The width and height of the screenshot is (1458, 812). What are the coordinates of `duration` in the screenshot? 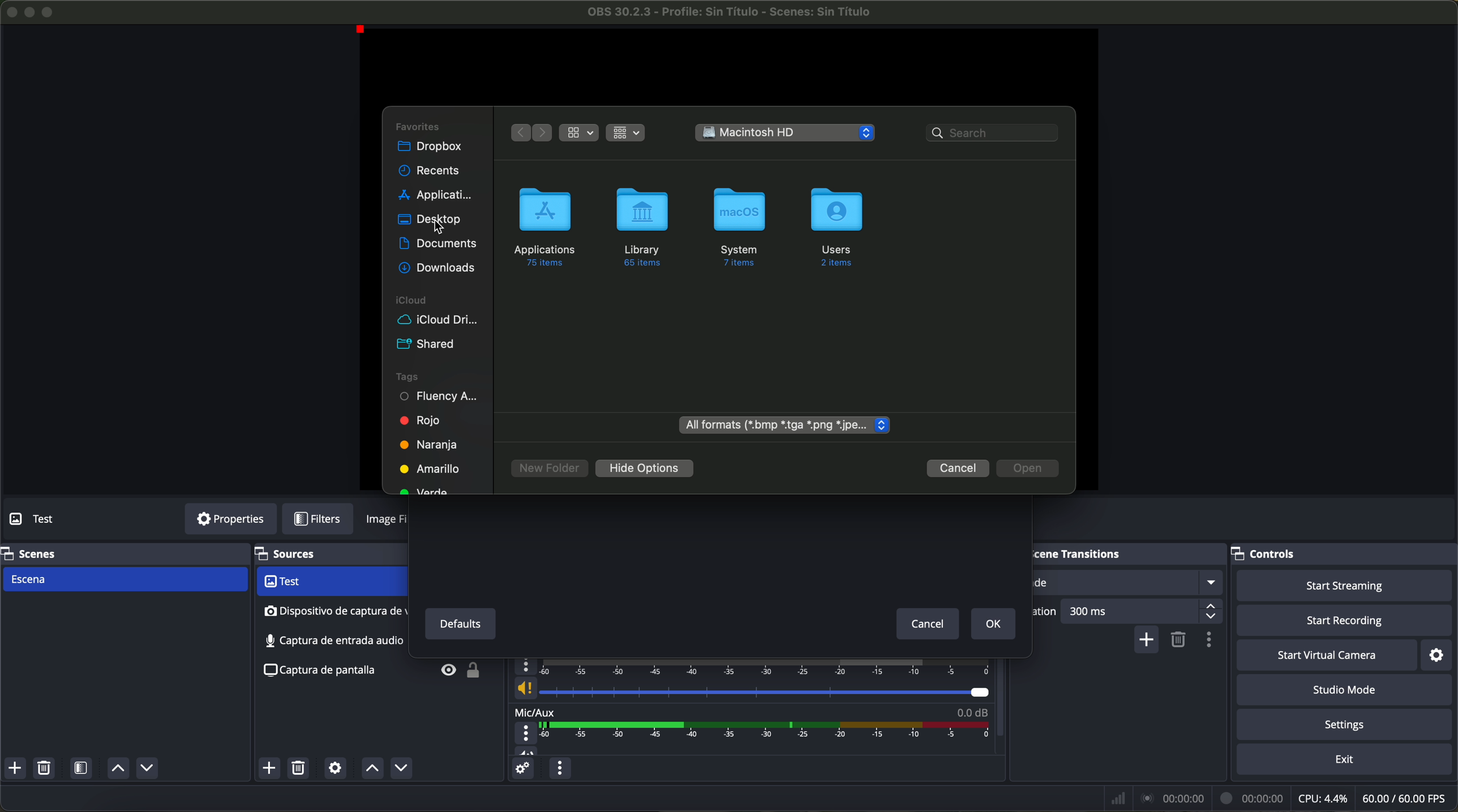 It's located at (1047, 613).